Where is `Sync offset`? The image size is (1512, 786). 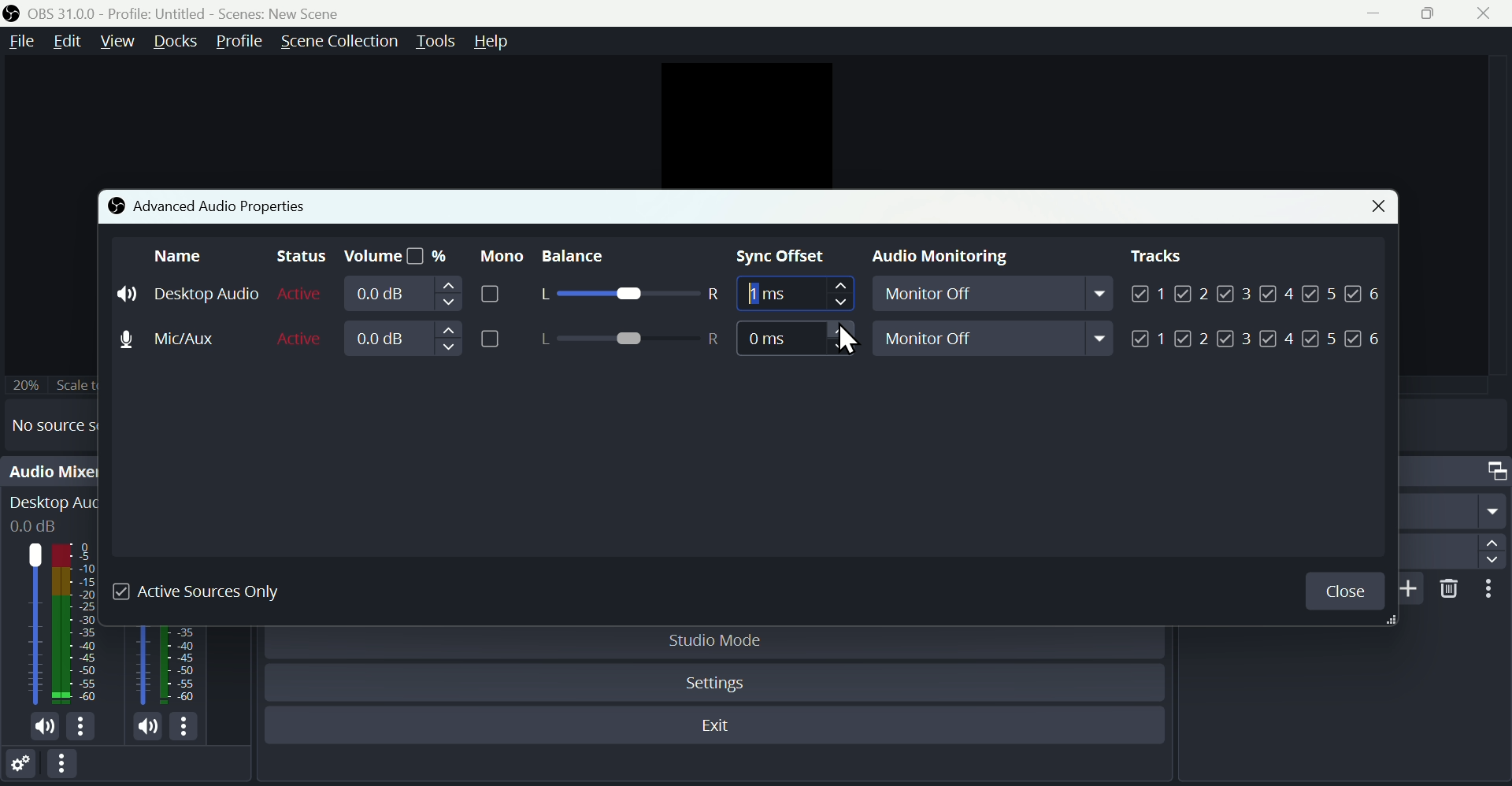 Sync offset is located at coordinates (784, 258).